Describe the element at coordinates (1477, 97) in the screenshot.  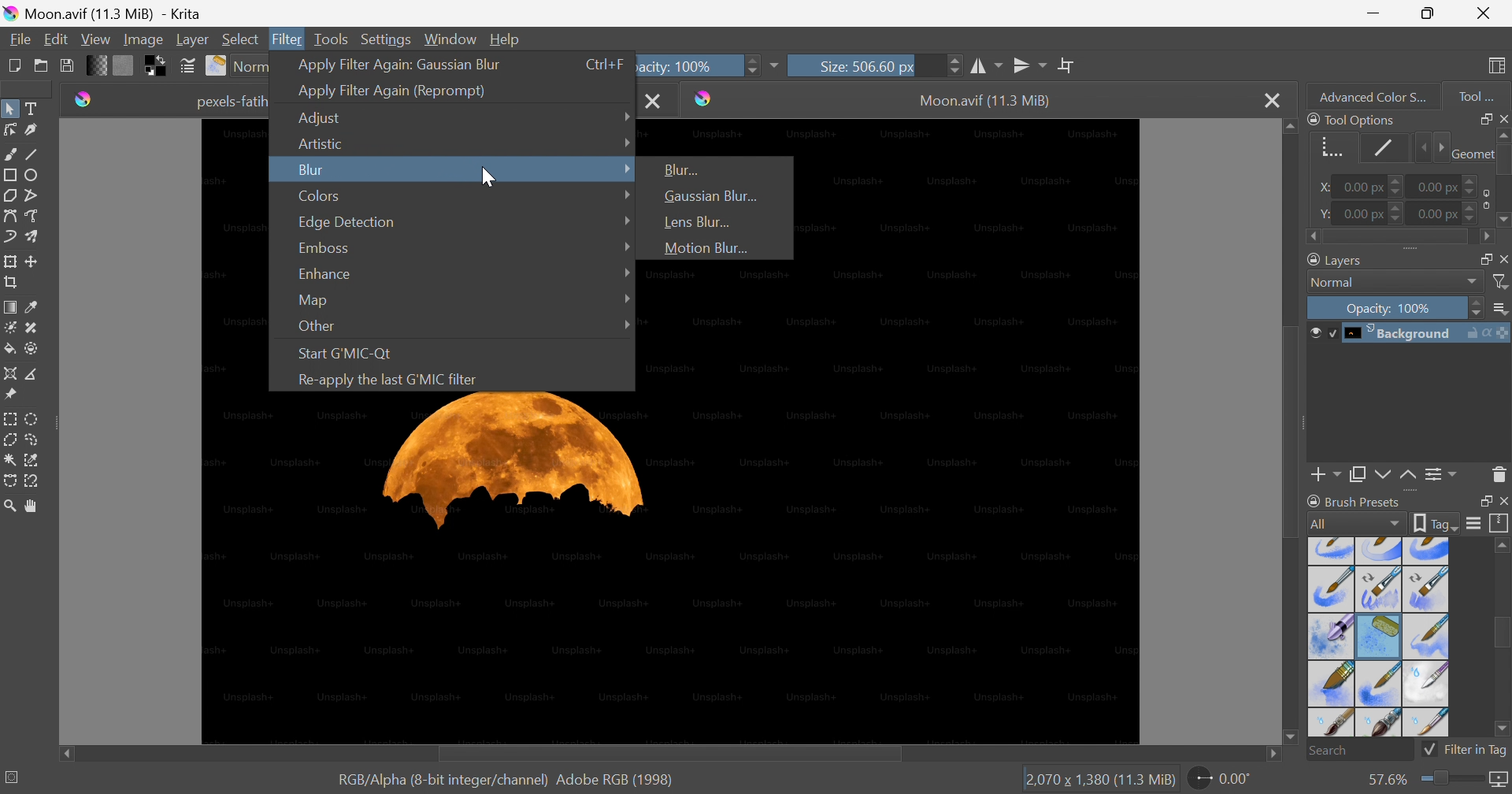
I see `Tool` at that location.